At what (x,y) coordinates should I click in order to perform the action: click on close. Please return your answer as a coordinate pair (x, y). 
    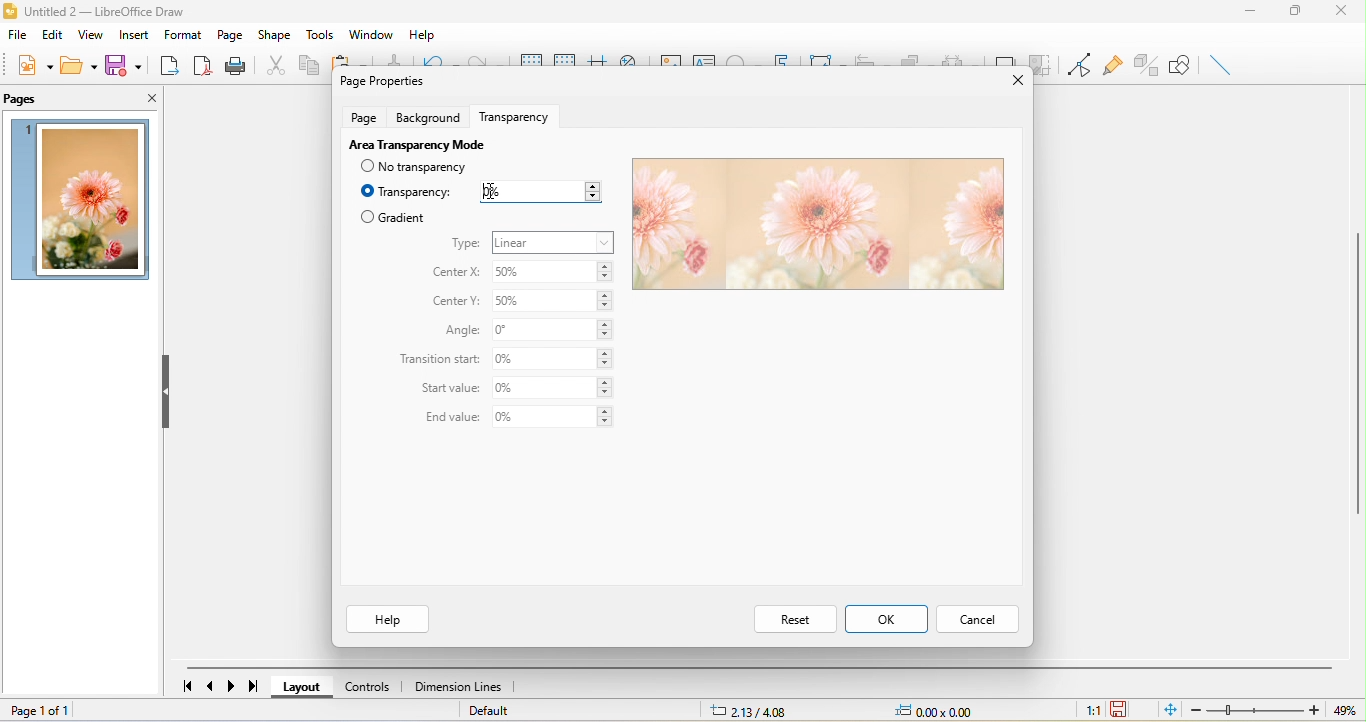
    Looking at the image, I should click on (138, 96).